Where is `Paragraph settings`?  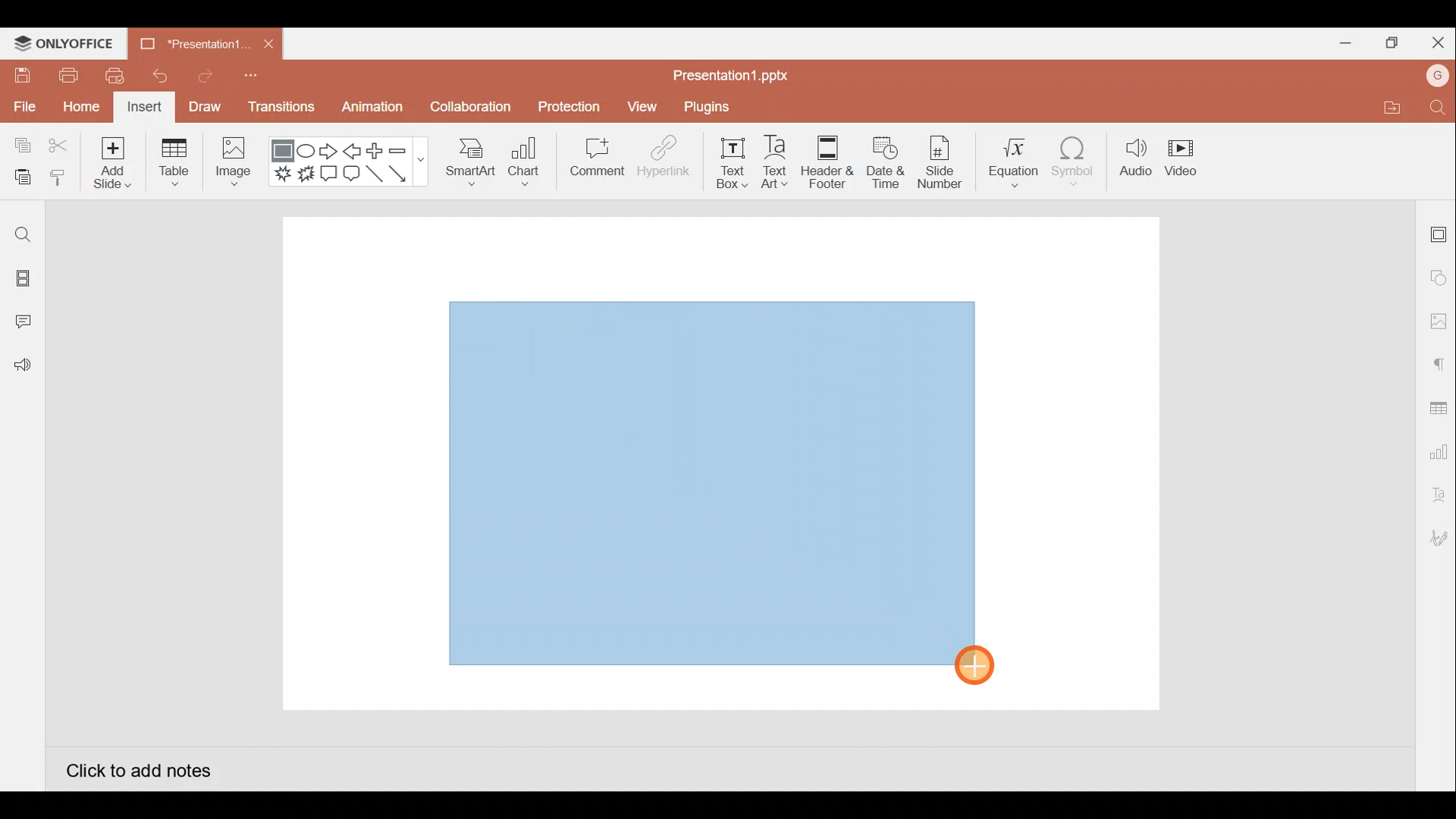 Paragraph settings is located at coordinates (1438, 362).